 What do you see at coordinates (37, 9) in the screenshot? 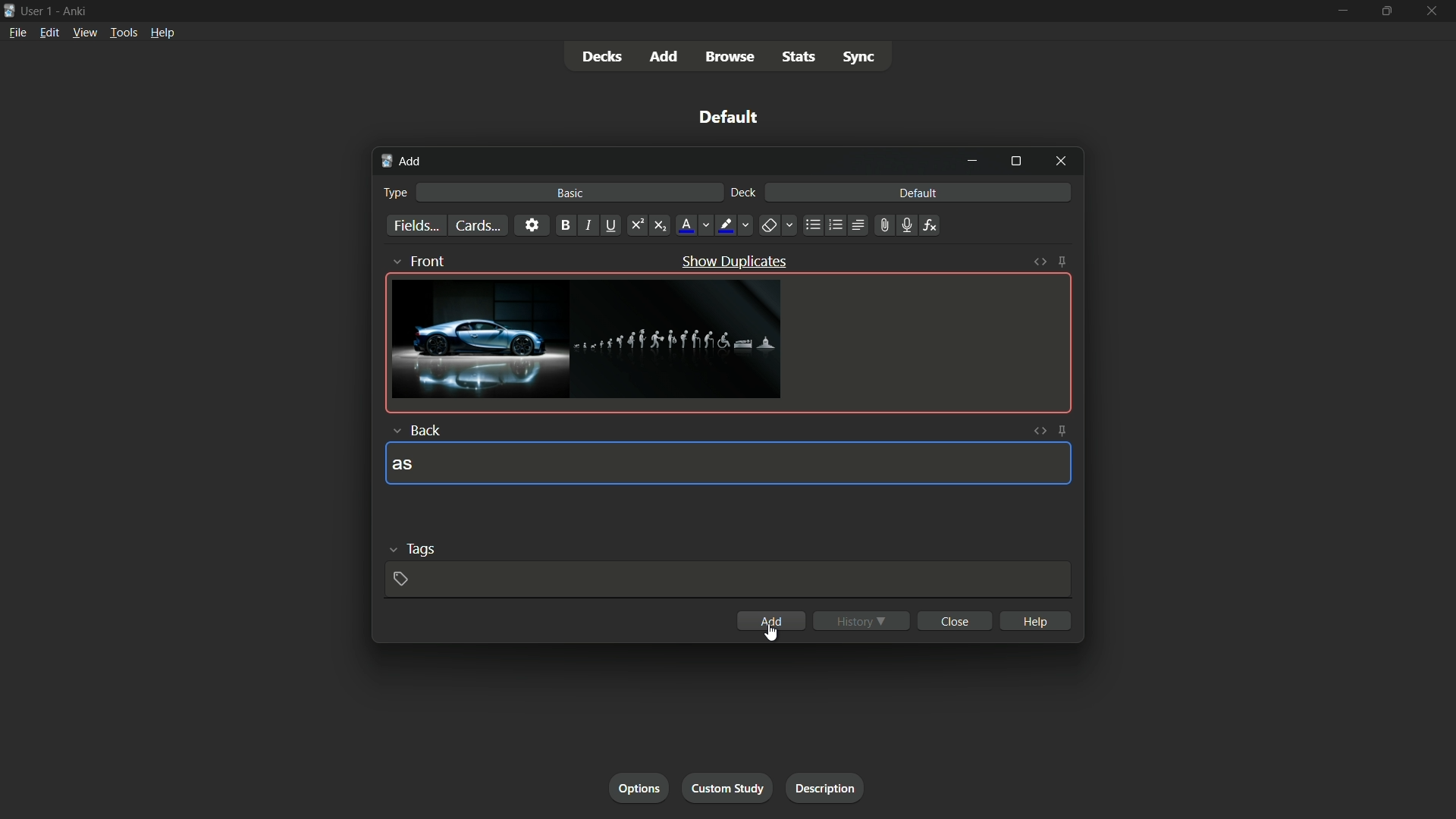
I see `user-1` at bounding box center [37, 9].